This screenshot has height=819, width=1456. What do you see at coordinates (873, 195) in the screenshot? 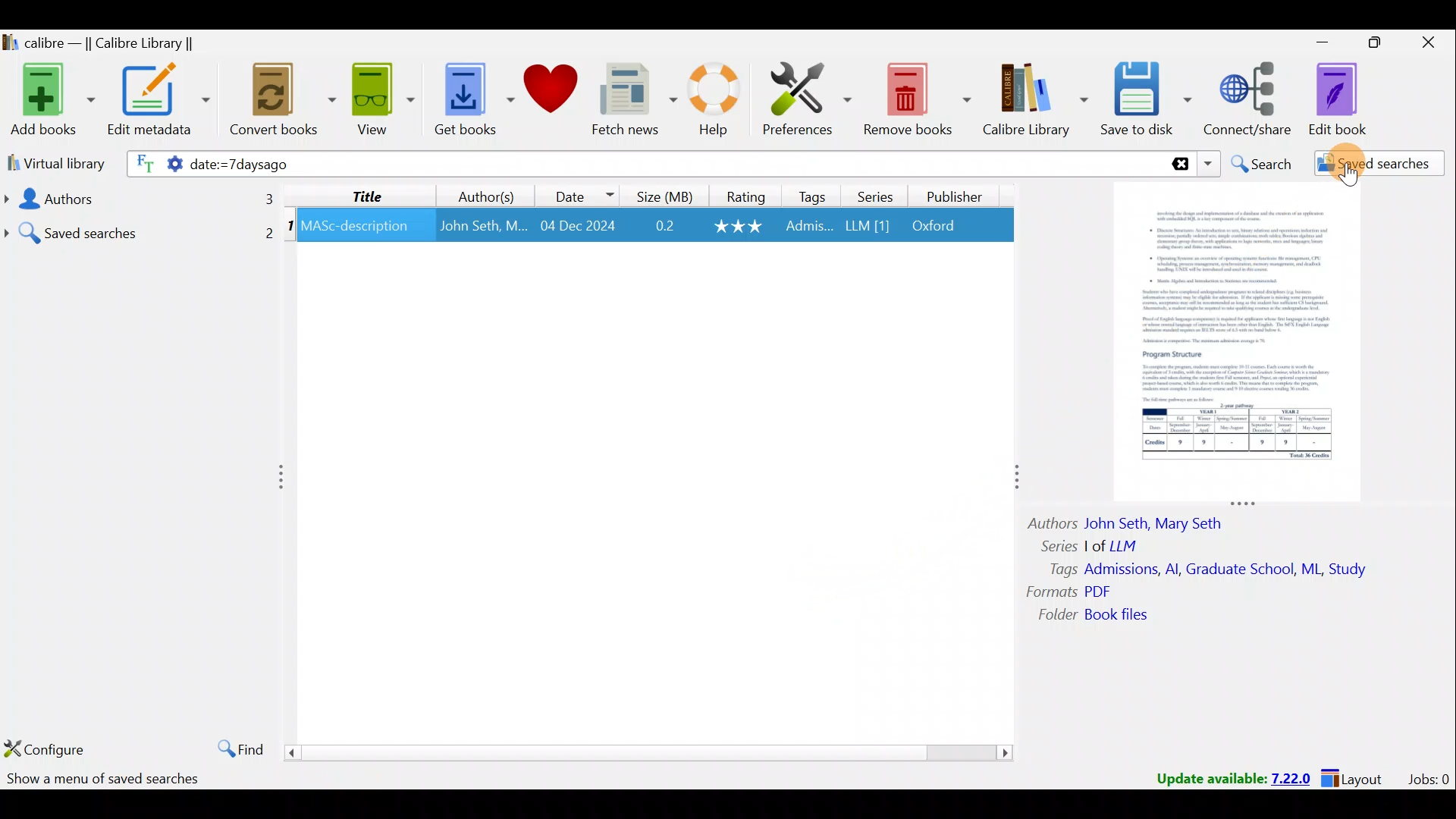
I see `Series` at bounding box center [873, 195].